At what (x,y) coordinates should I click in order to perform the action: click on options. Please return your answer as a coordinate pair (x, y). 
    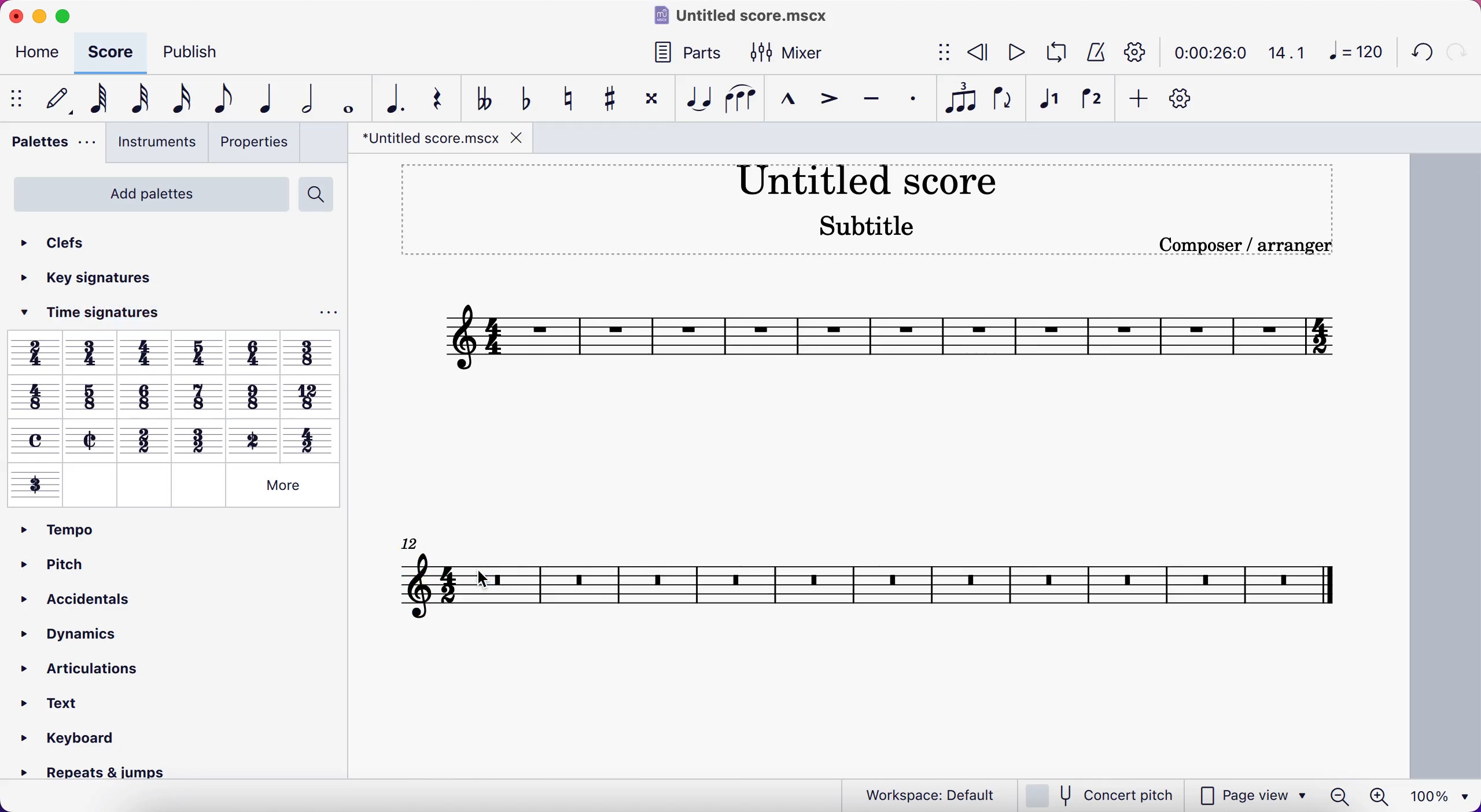
    Looking at the image, I should click on (323, 313).